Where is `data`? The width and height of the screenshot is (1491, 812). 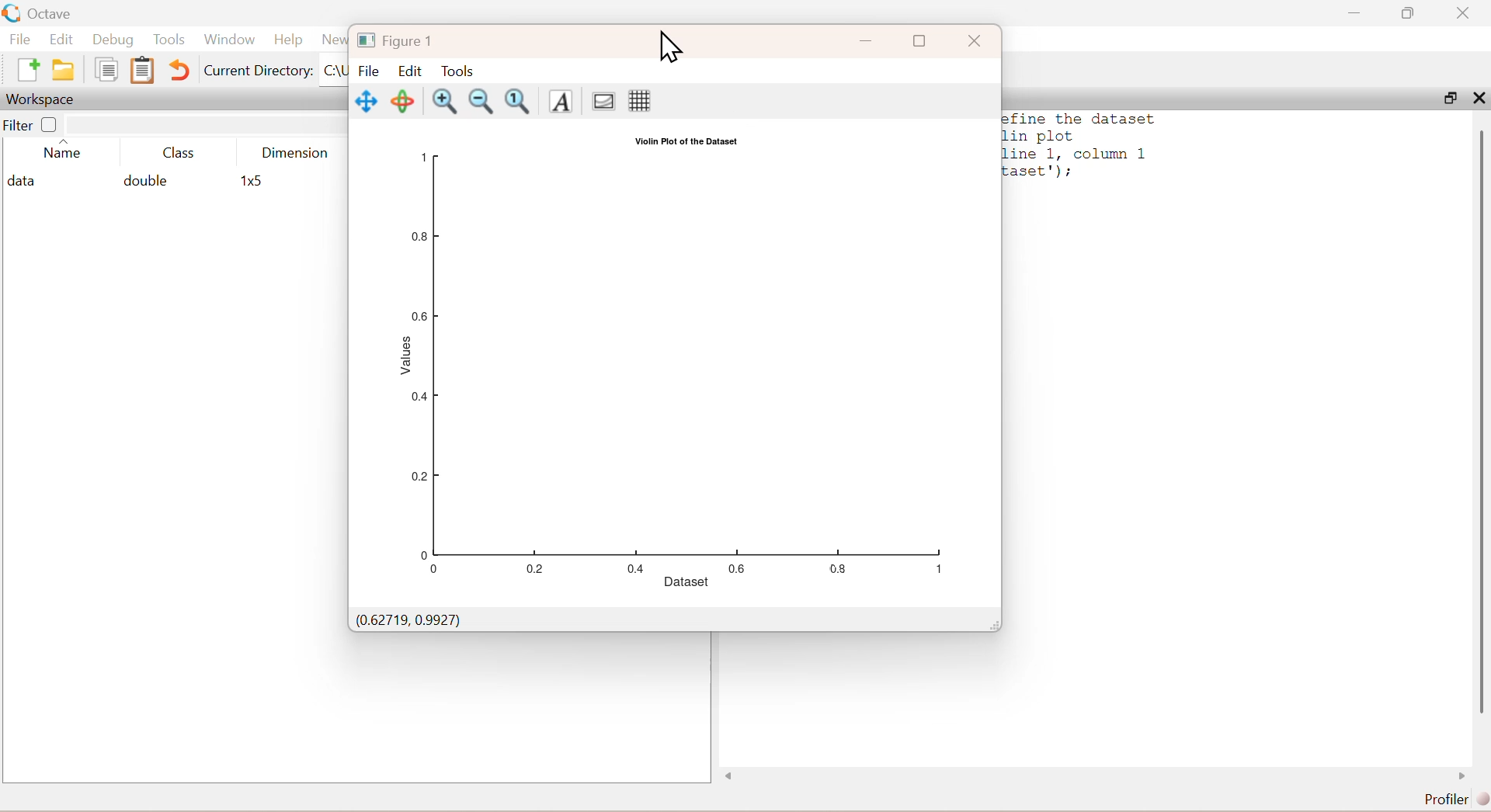 data is located at coordinates (26, 182).